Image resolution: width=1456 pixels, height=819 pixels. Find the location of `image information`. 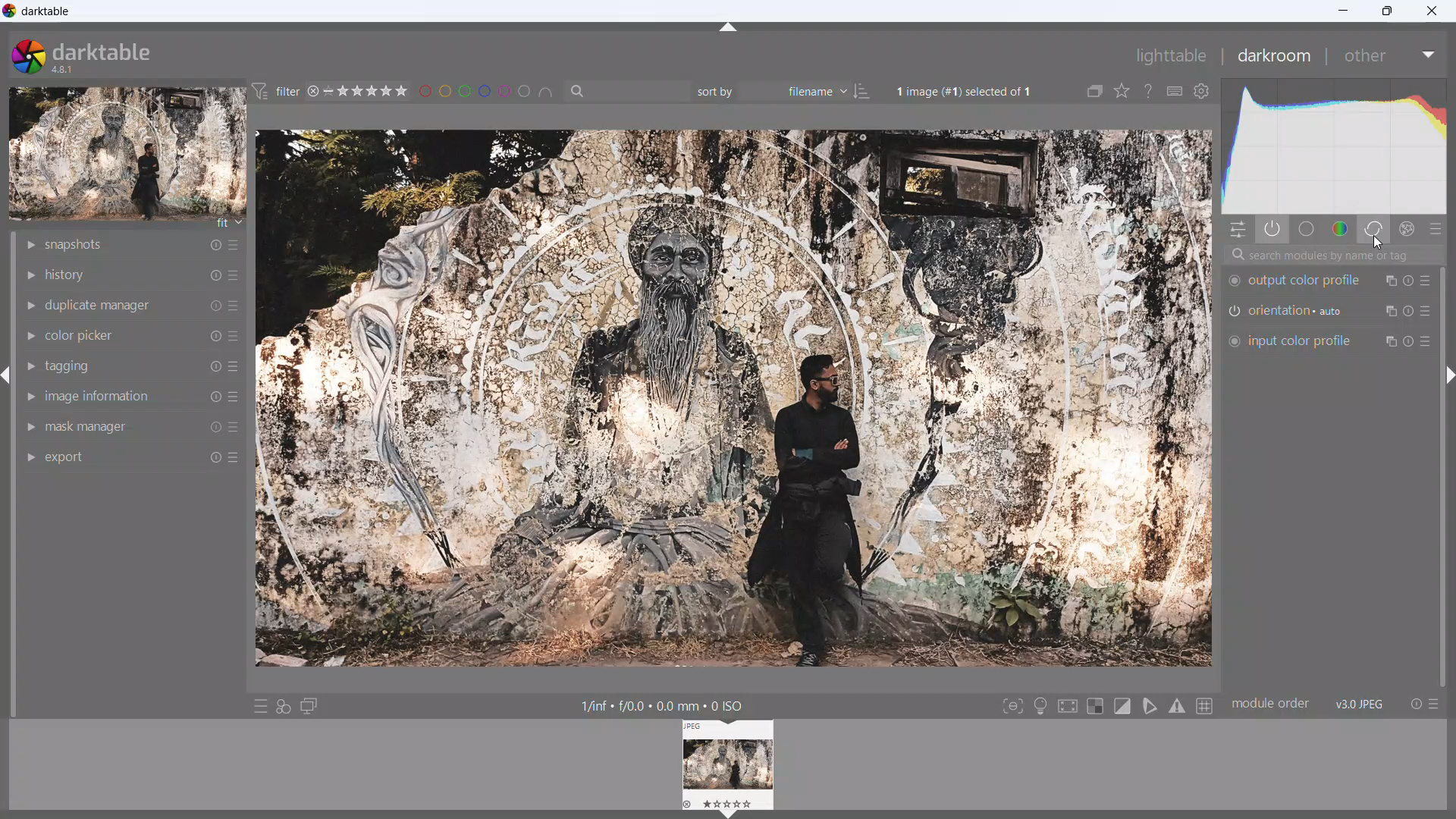

image information is located at coordinates (99, 396).